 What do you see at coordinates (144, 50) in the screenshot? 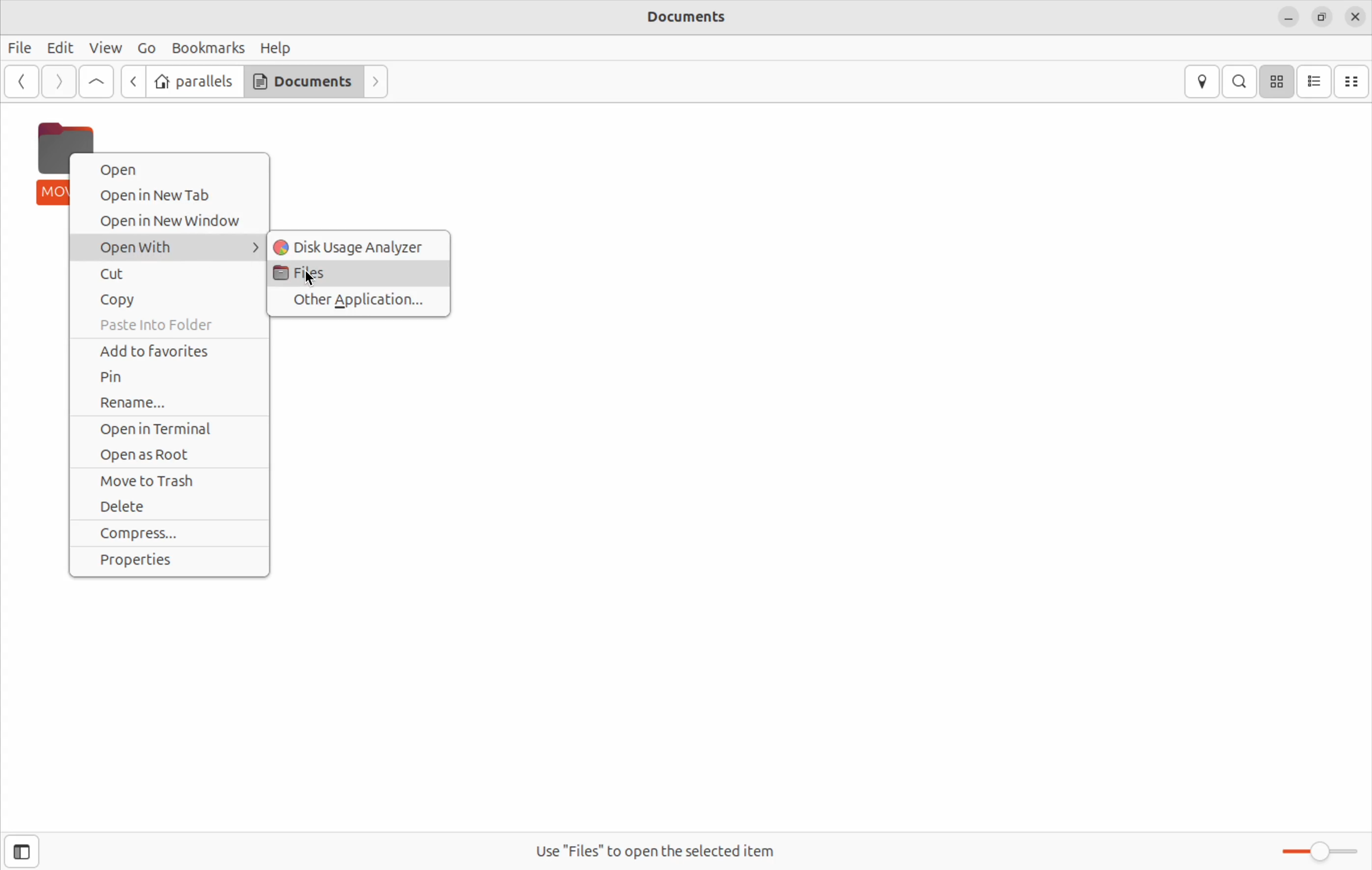
I see `Go` at bounding box center [144, 50].